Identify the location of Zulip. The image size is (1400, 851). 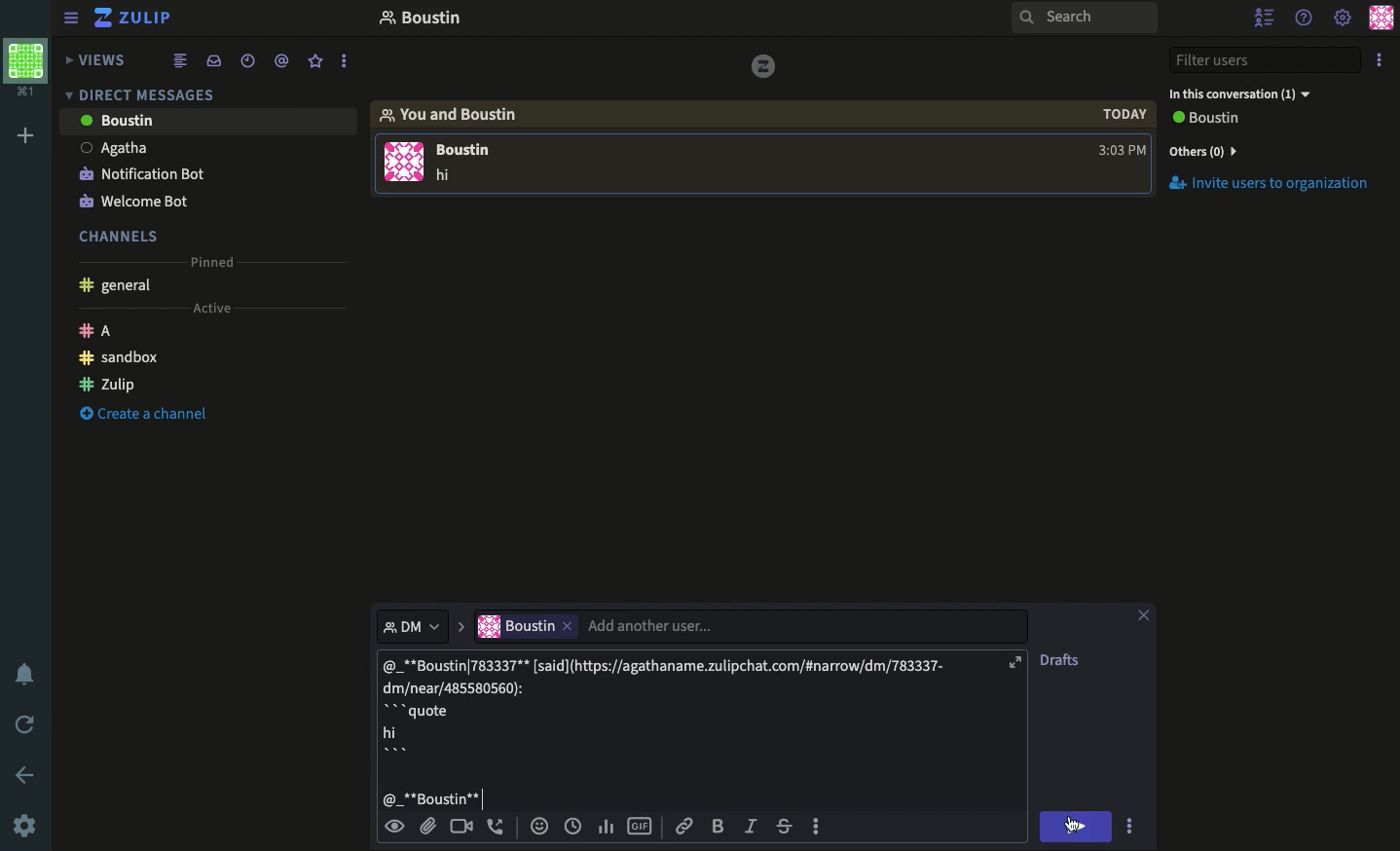
(133, 18).